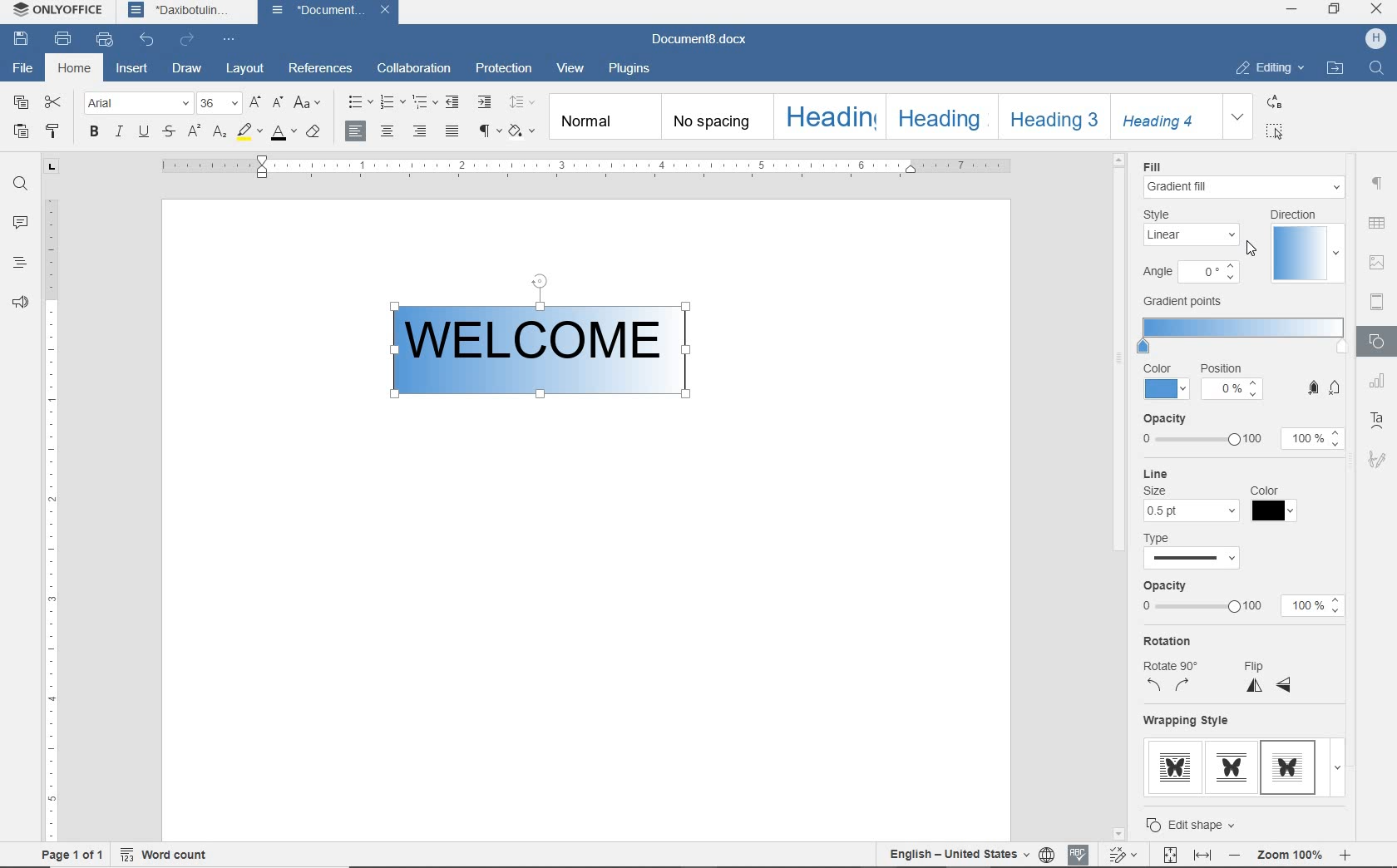 Image resolution: width=1397 pixels, height=868 pixels. I want to click on FILE, so click(23, 68).